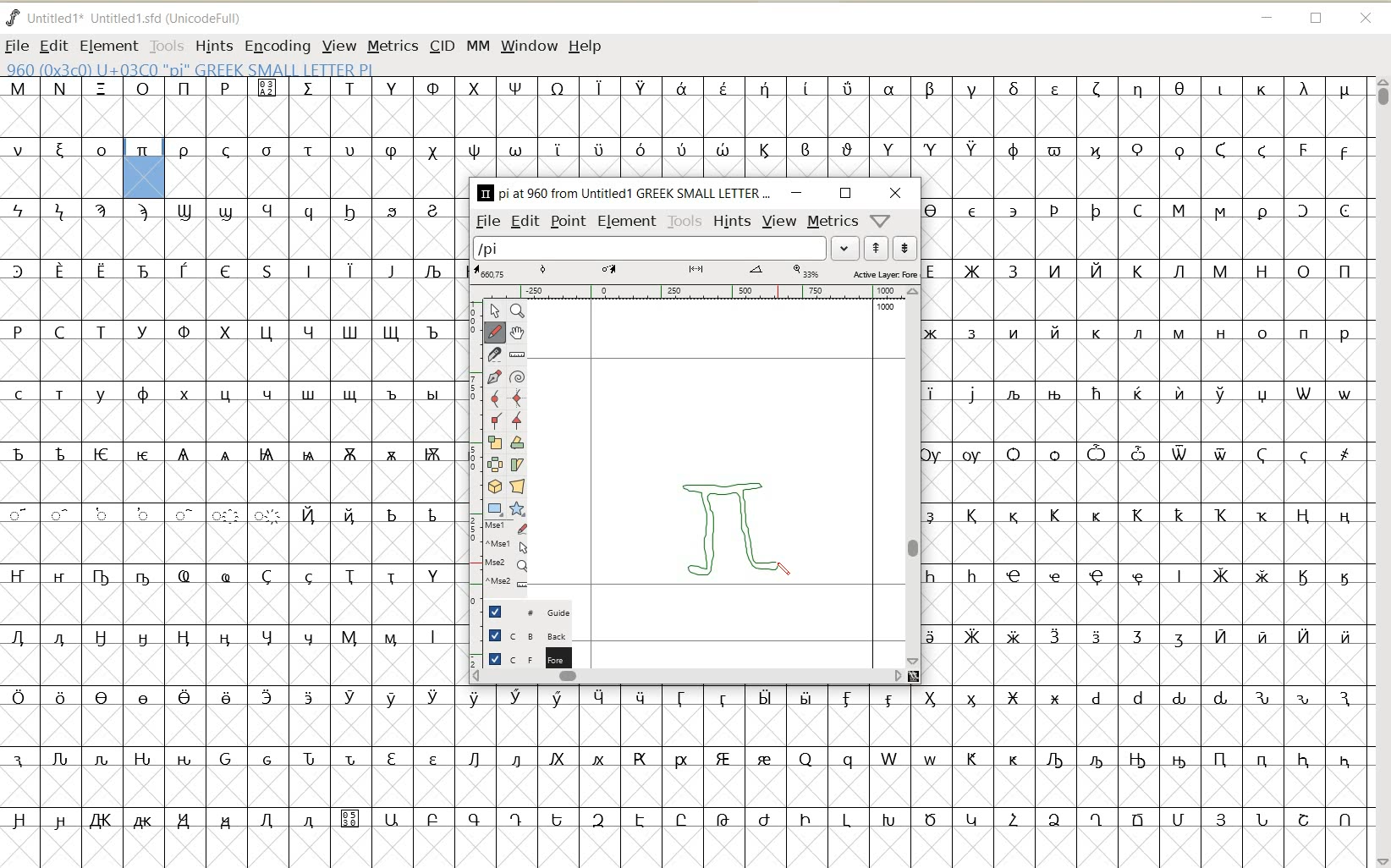 The height and width of the screenshot is (868, 1391). I want to click on BACKGROUND, so click(520, 658).